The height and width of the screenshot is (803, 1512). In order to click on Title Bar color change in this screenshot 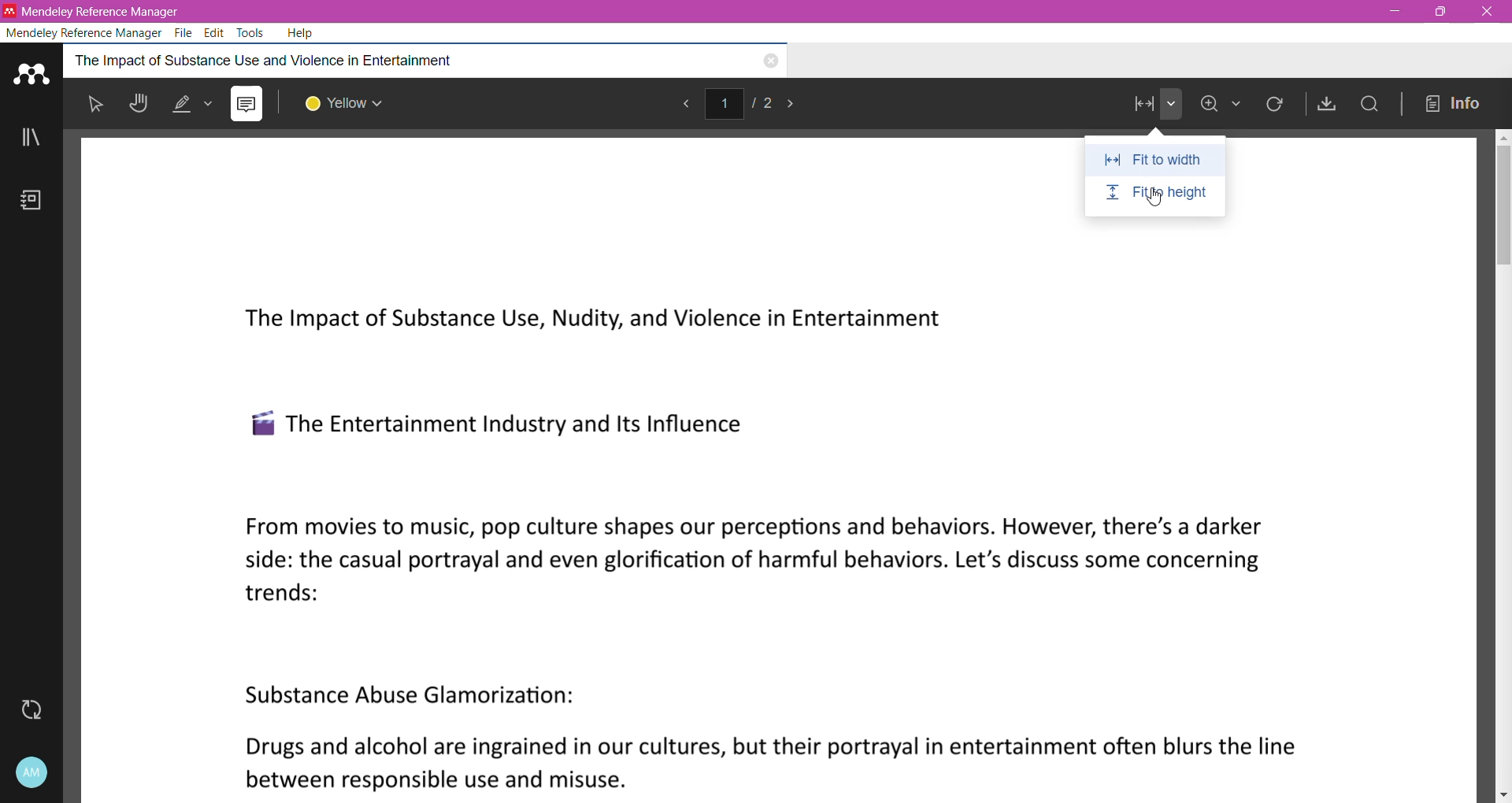, I will do `click(843, 12)`.